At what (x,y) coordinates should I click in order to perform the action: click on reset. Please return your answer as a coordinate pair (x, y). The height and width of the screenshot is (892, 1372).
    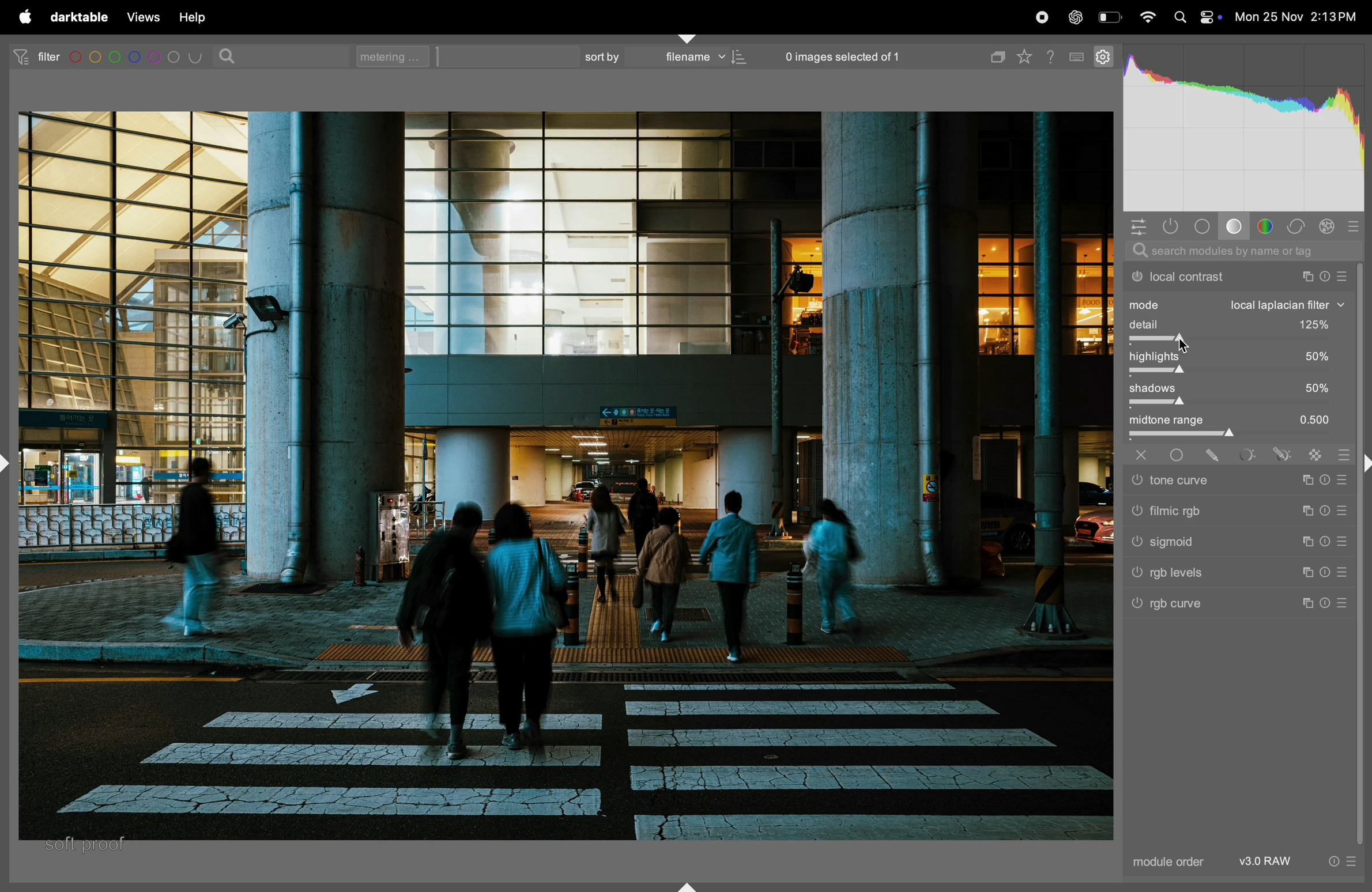
    Looking at the image, I should click on (1333, 860).